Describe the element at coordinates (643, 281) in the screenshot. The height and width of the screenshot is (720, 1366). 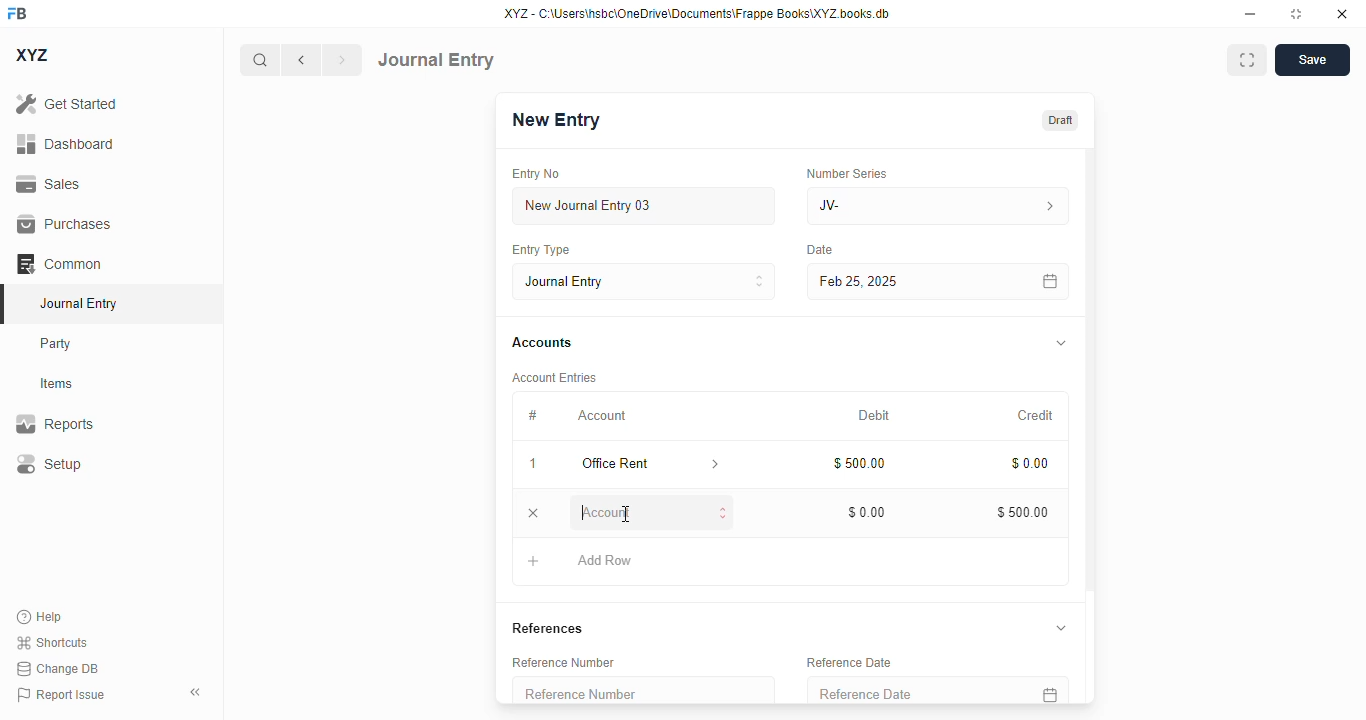
I see `entry type` at that location.